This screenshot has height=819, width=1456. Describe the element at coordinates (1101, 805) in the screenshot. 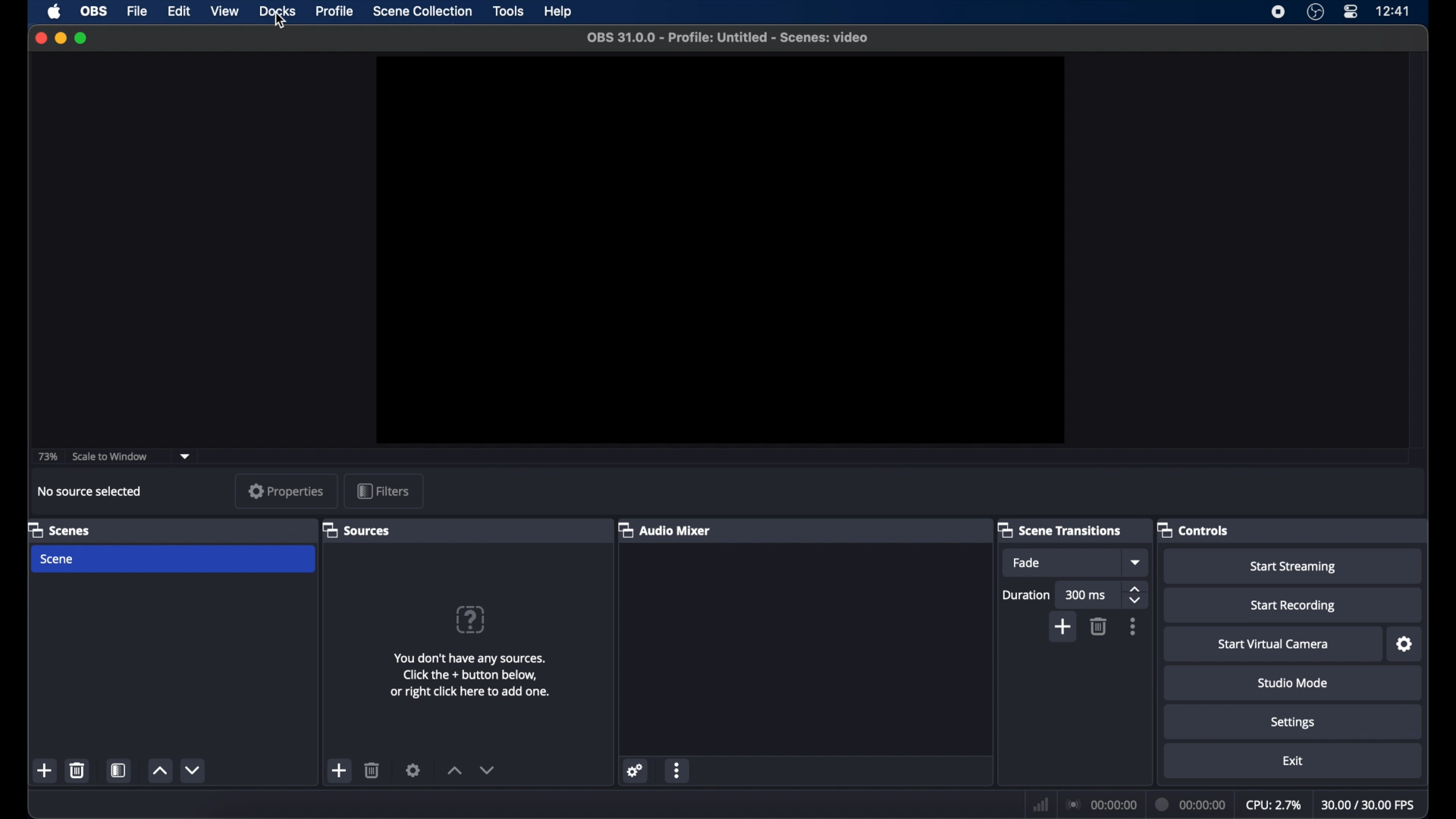

I see `00:00:00` at that location.